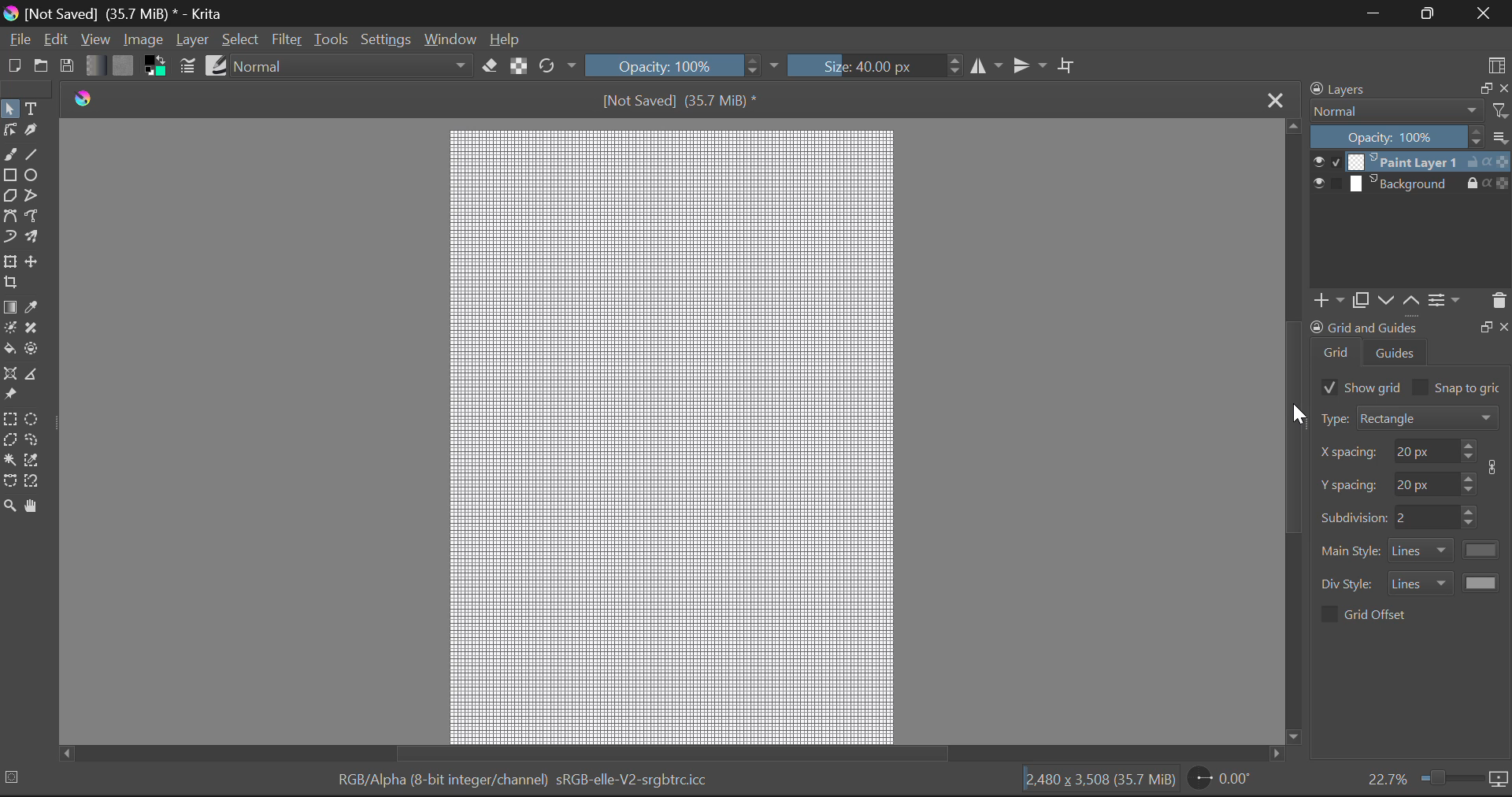  Describe the element at coordinates (449, 40) in the screenshot. I see `Window` at that location.